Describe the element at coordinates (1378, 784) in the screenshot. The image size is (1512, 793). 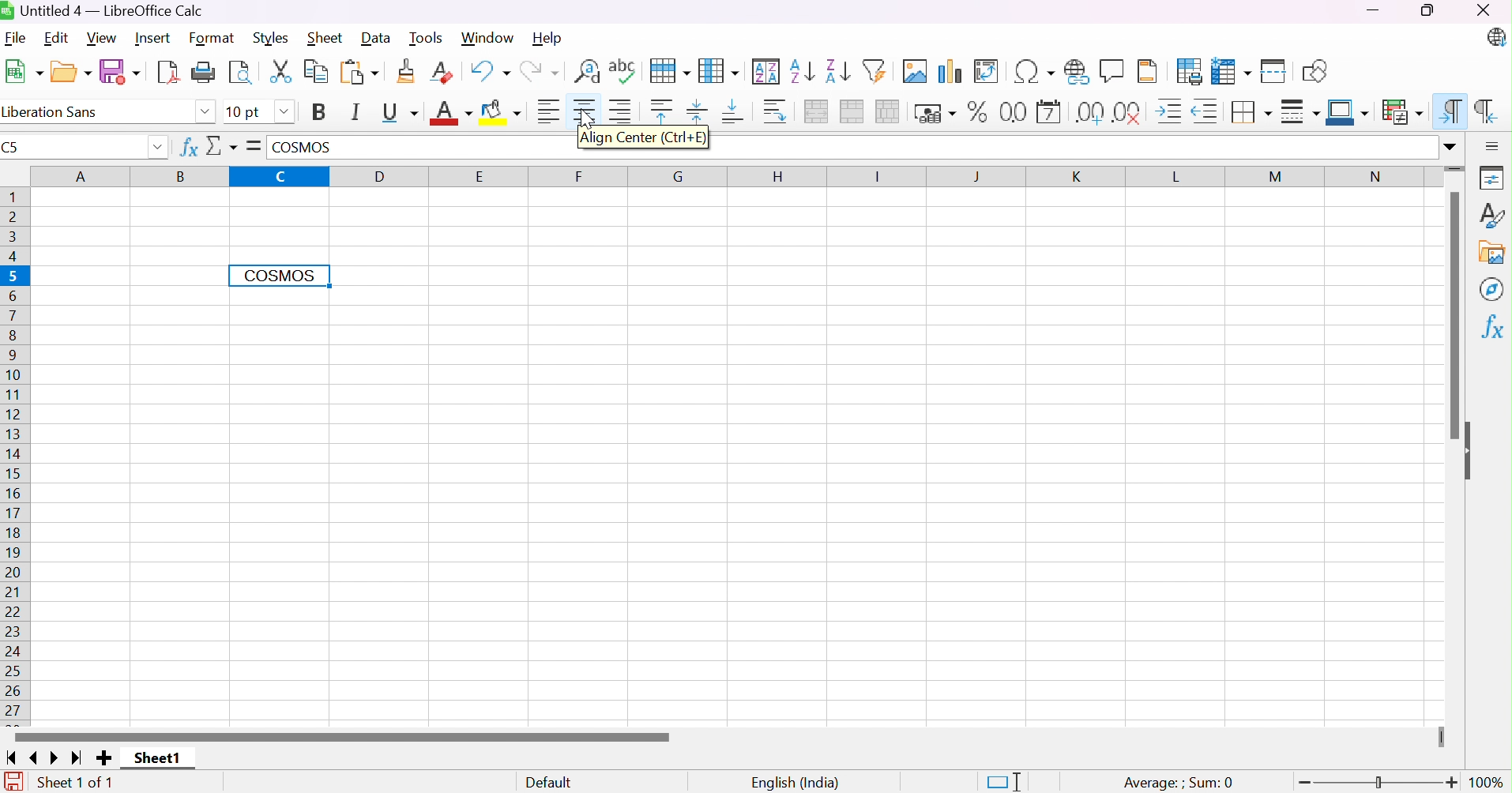
I see `Slider` at that location.